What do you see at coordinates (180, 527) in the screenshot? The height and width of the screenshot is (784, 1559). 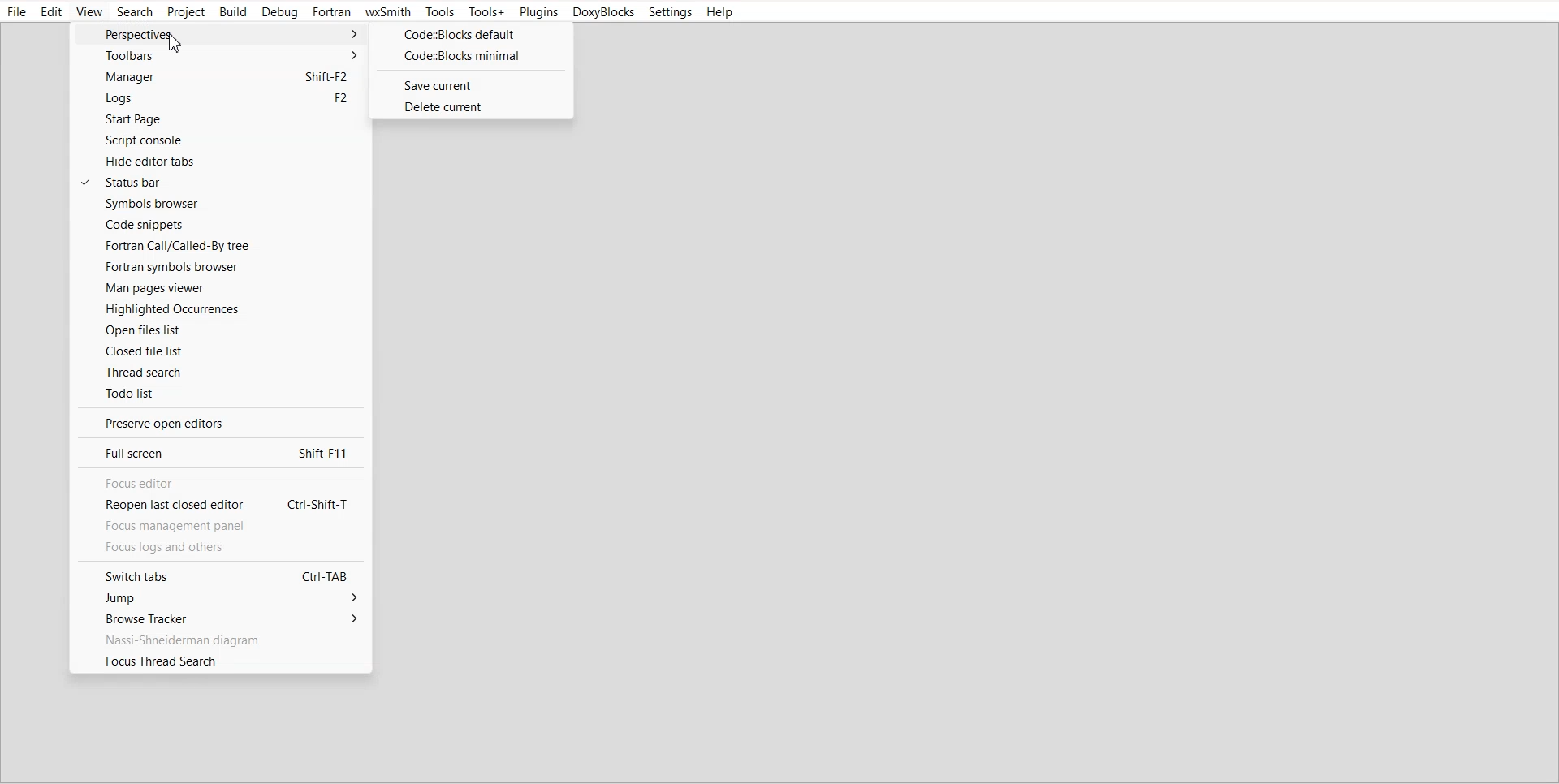 I see `Focus management panel` at bounding box center [180, 527].